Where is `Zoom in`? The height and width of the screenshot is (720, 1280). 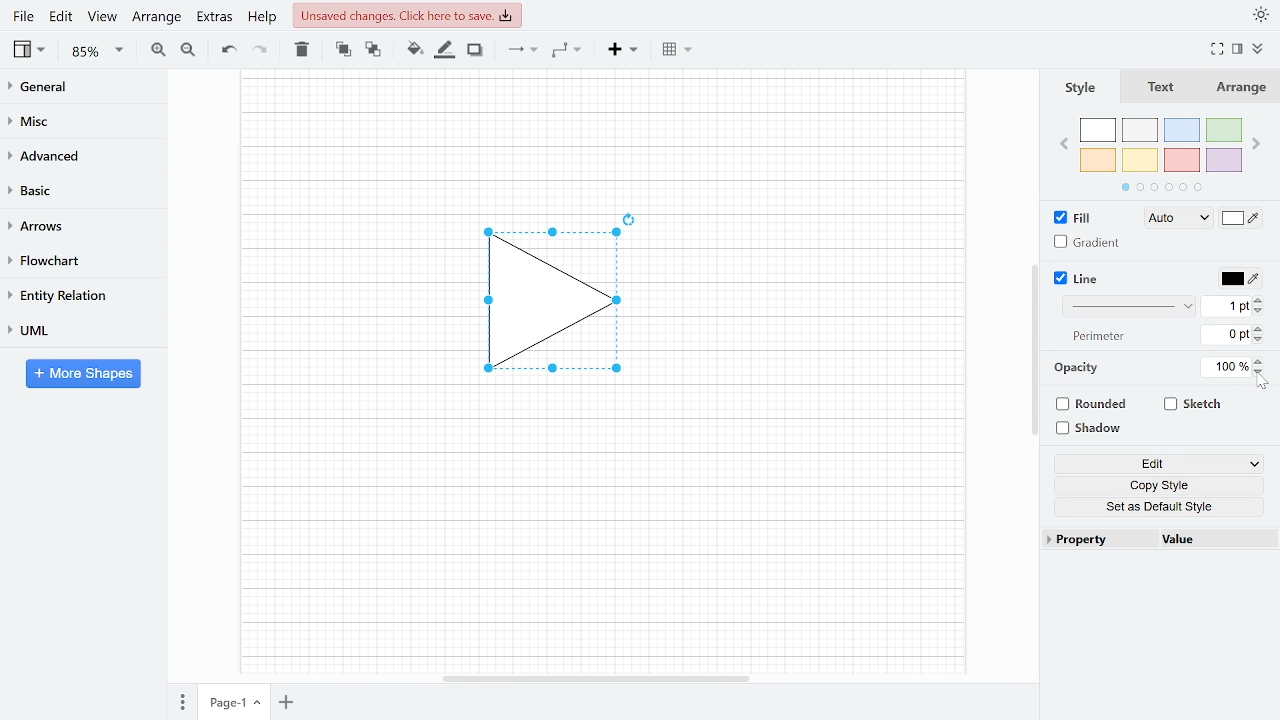
Zoom in is located at coordinates (158, 49).